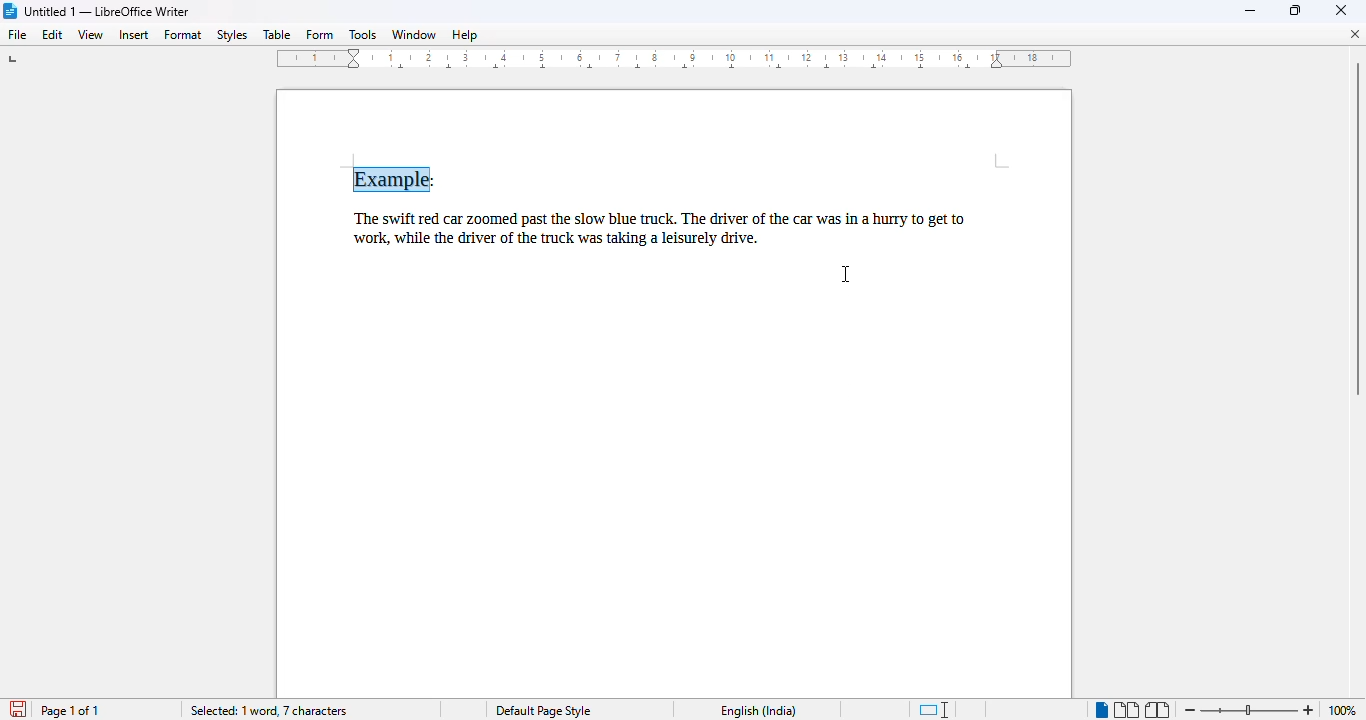  I want to click on book view, so click(1158, 710).